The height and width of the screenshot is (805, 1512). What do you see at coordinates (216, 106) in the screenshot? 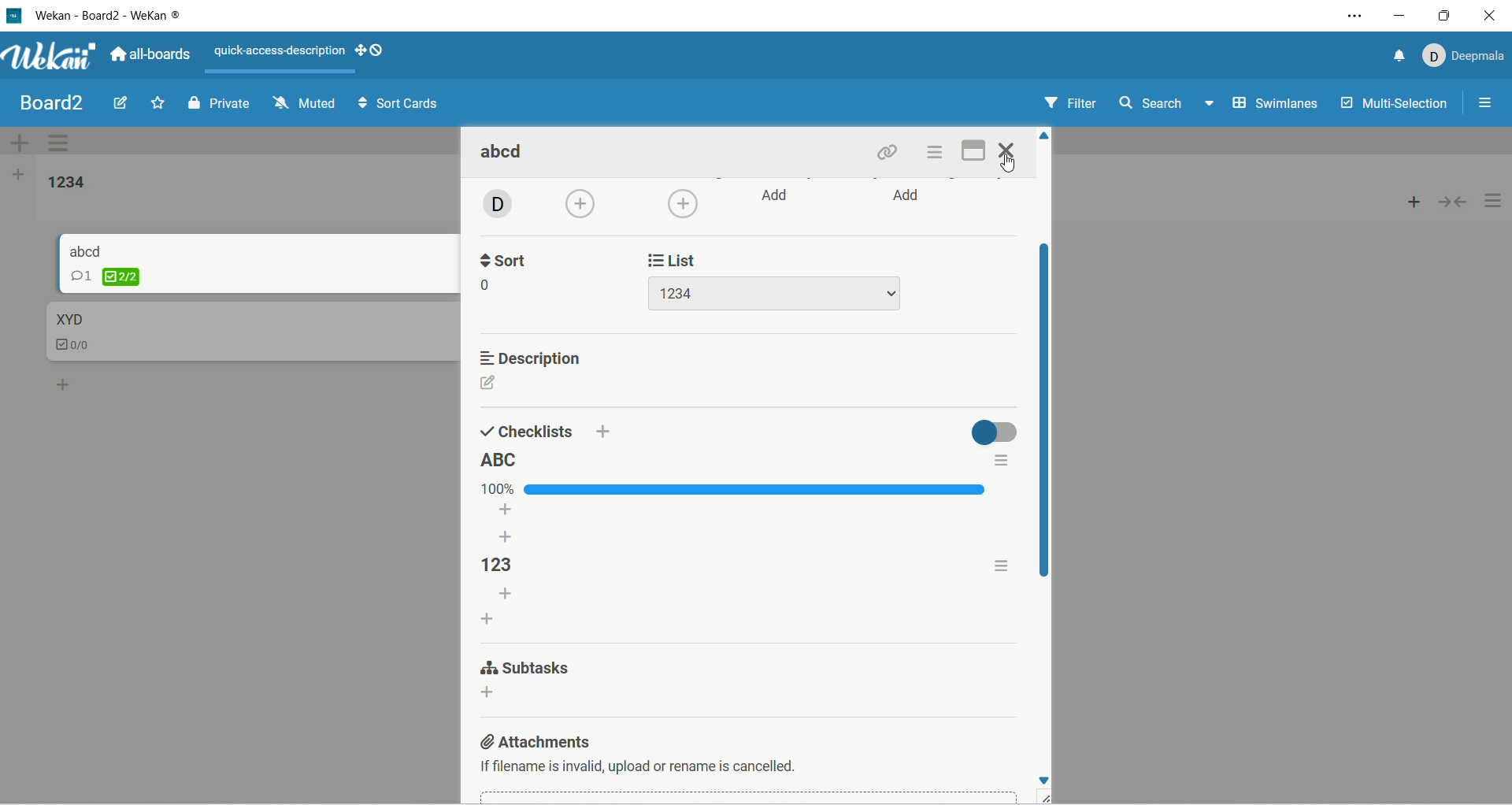
I see `private` at bounding box center [216, 106].